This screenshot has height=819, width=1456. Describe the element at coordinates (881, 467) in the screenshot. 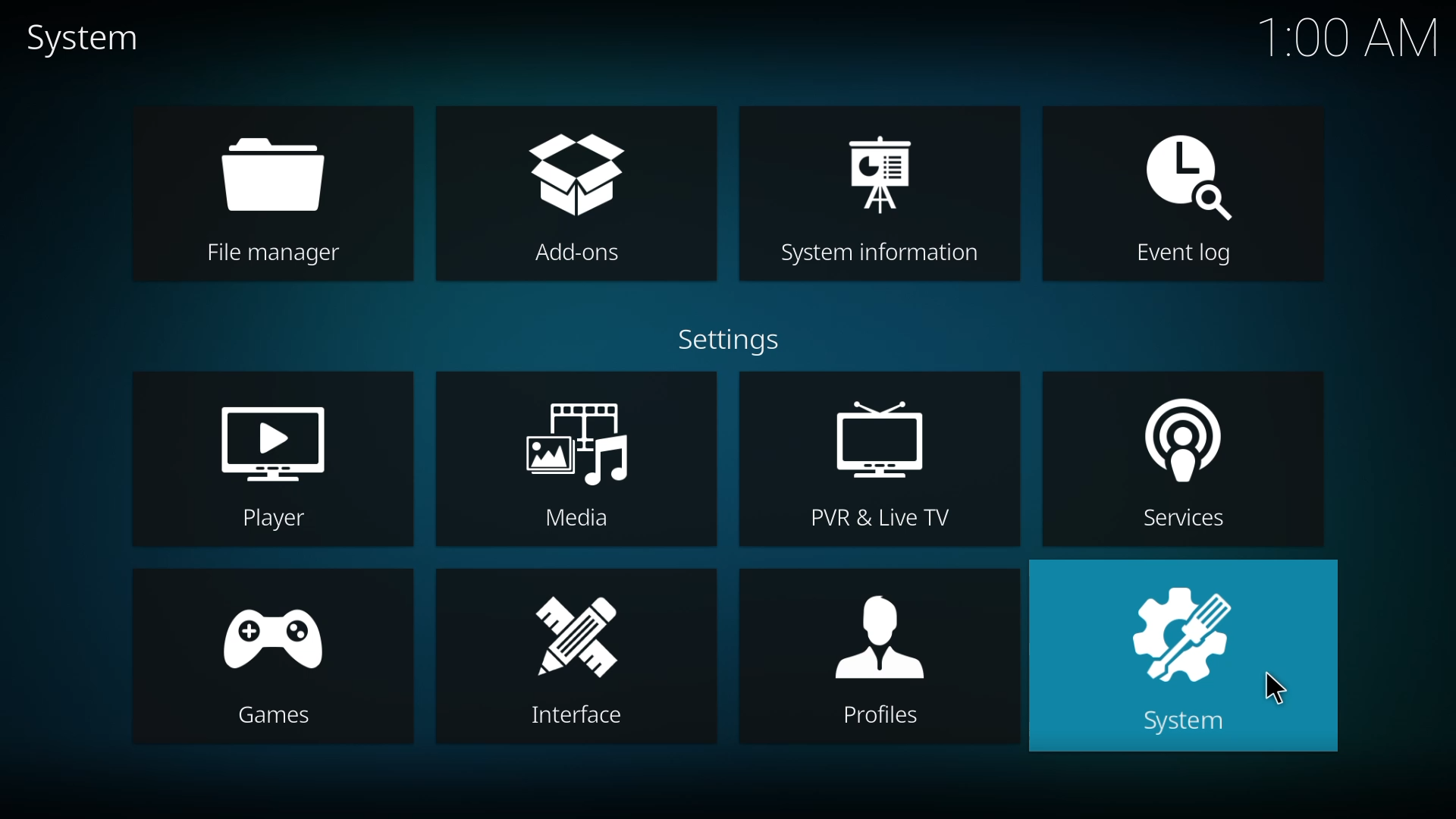

I see `live` at that location.